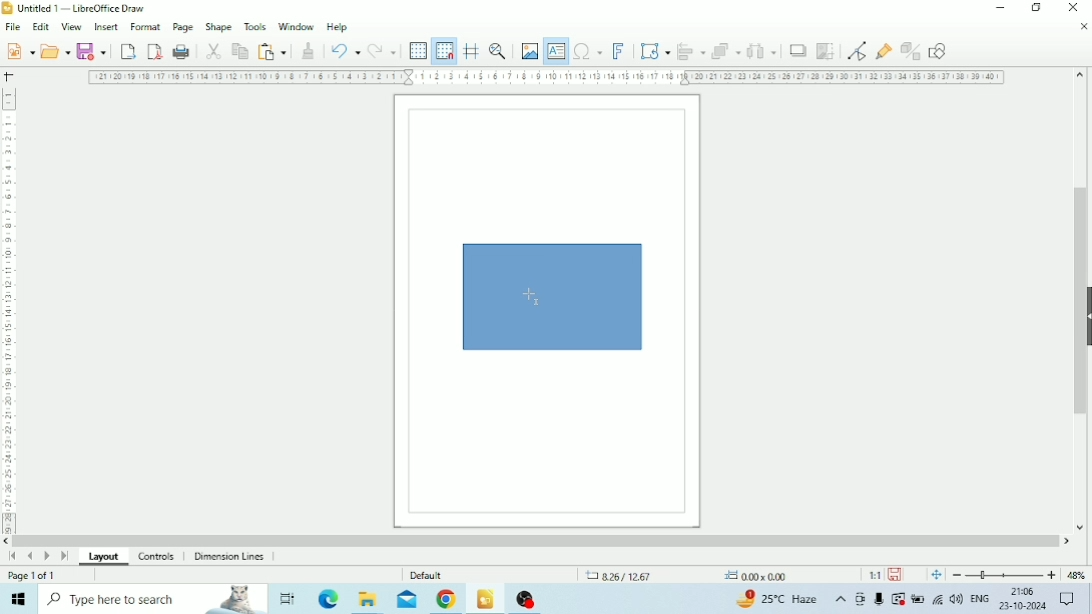 Image resolution: width=1092 pixels, height=614 pixels. I want to click on Warning, so click(898, 599).